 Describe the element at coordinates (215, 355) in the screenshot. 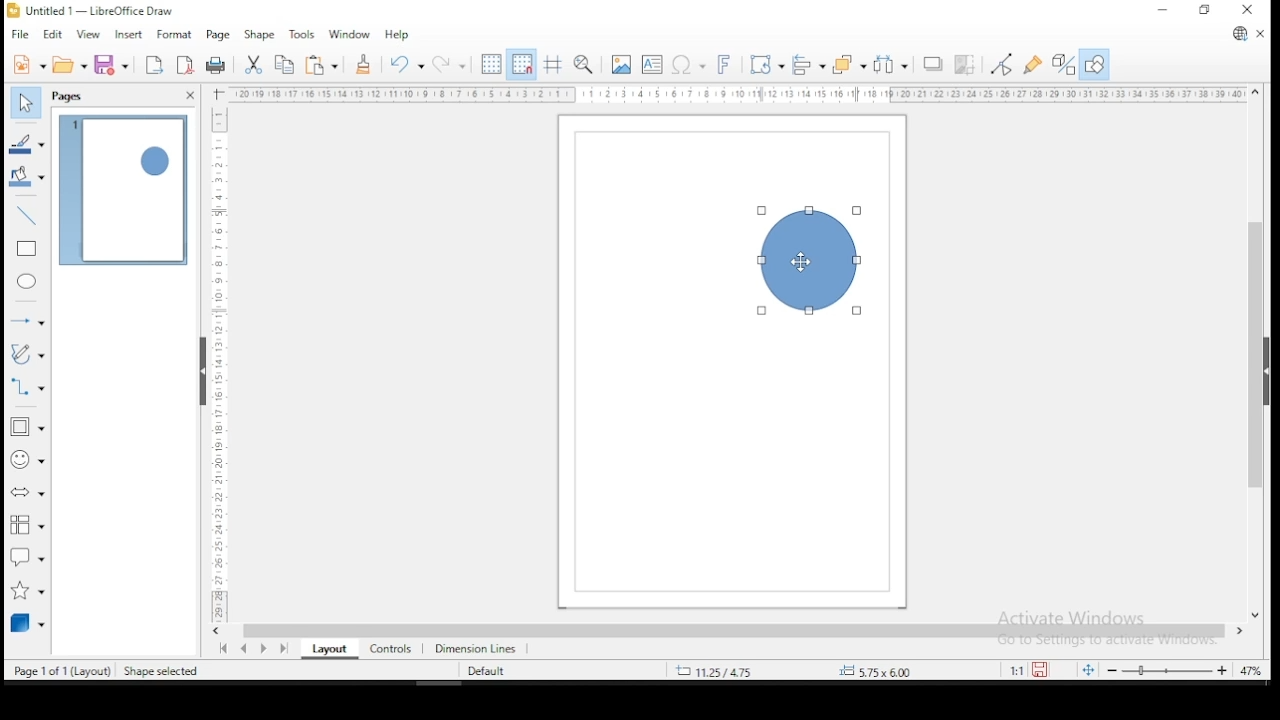

I see `vertical scale` at that location.